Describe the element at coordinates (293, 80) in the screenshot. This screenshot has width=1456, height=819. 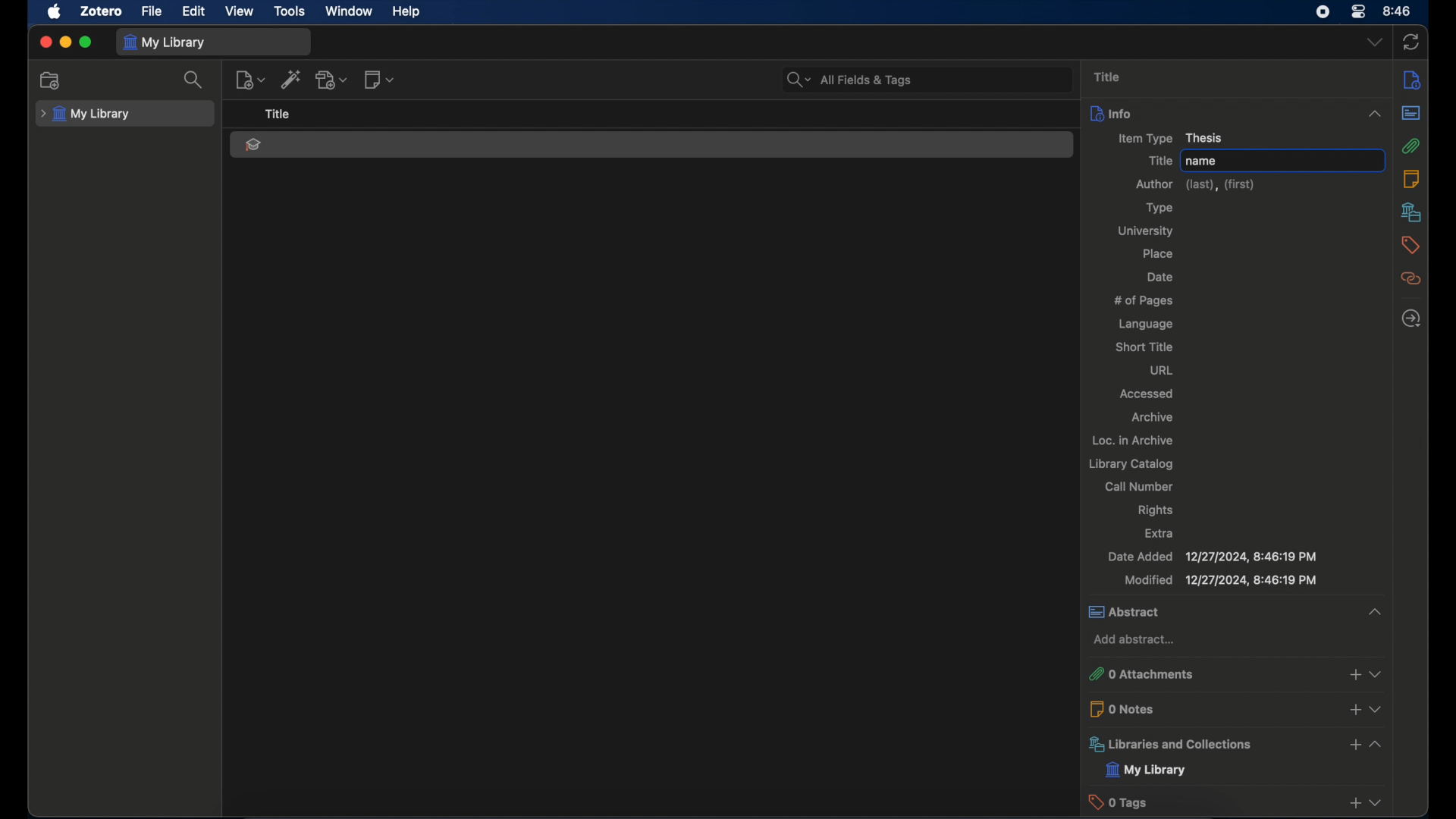
I see `add item by identifier` at that location.